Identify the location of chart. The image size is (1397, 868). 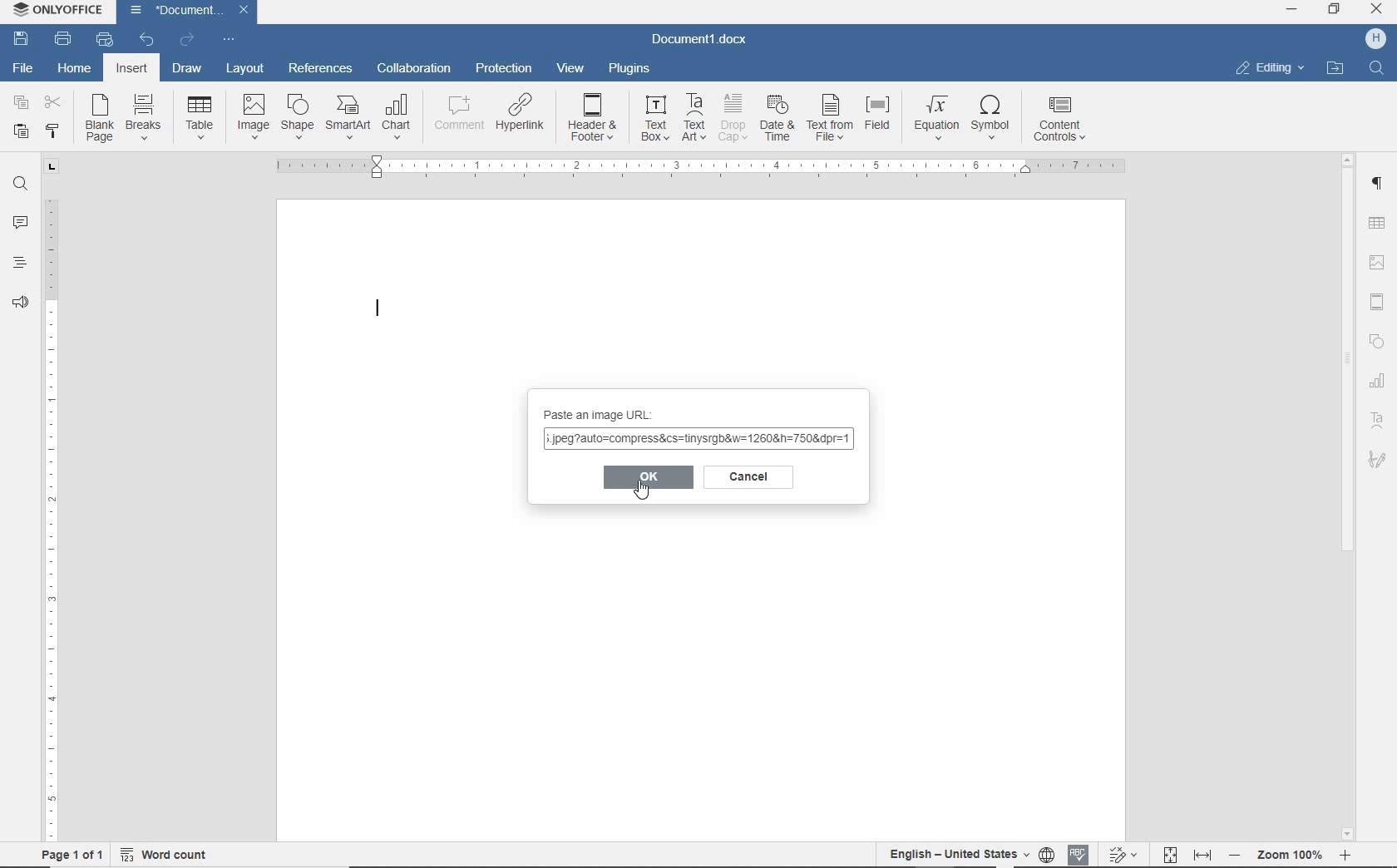
(398, 117).